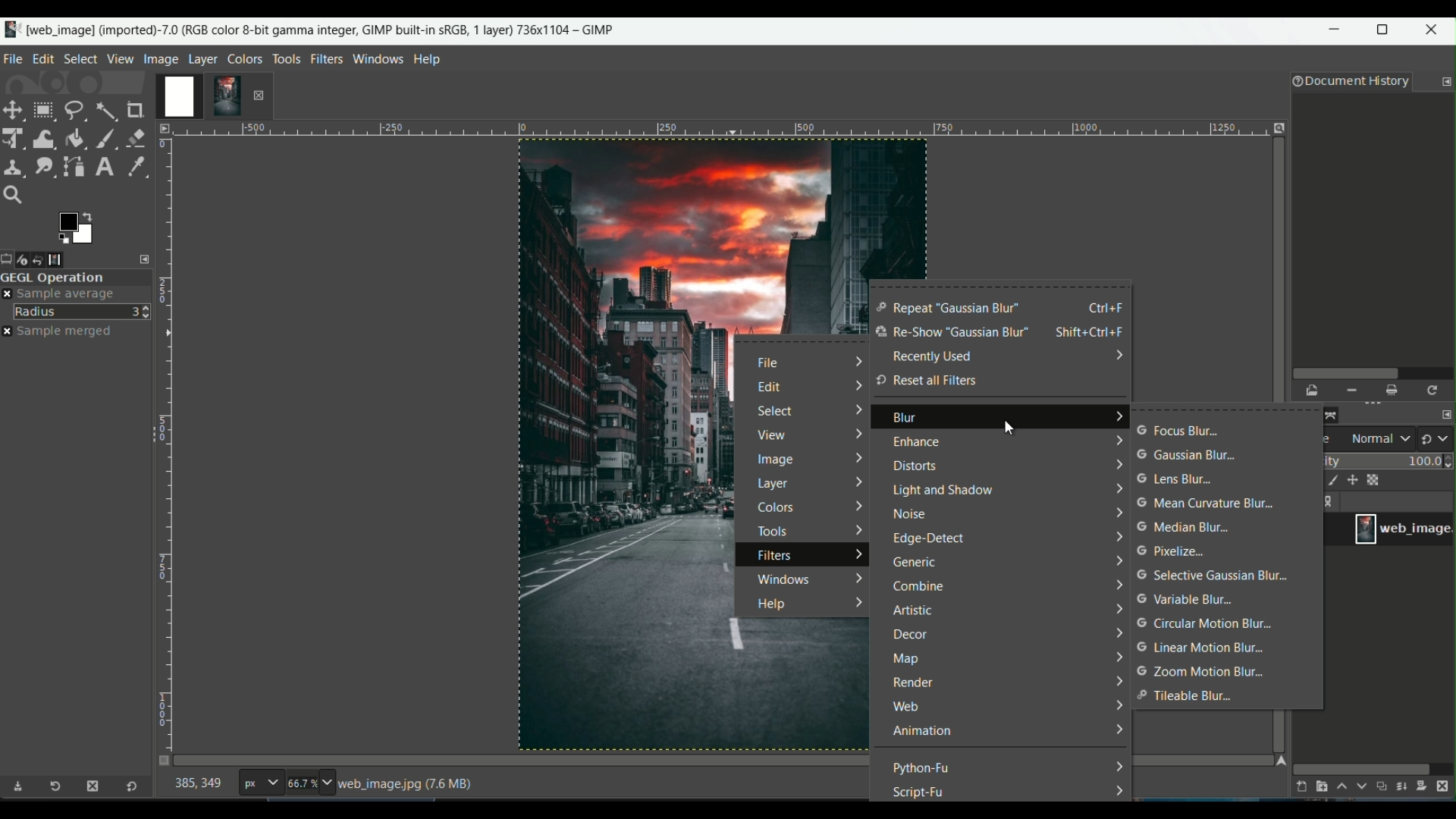 The width and height of the screenshot is (1456, 819). Describe the element at coordinates (920, 792) in the screenshot. I see `script-fu` at that location.